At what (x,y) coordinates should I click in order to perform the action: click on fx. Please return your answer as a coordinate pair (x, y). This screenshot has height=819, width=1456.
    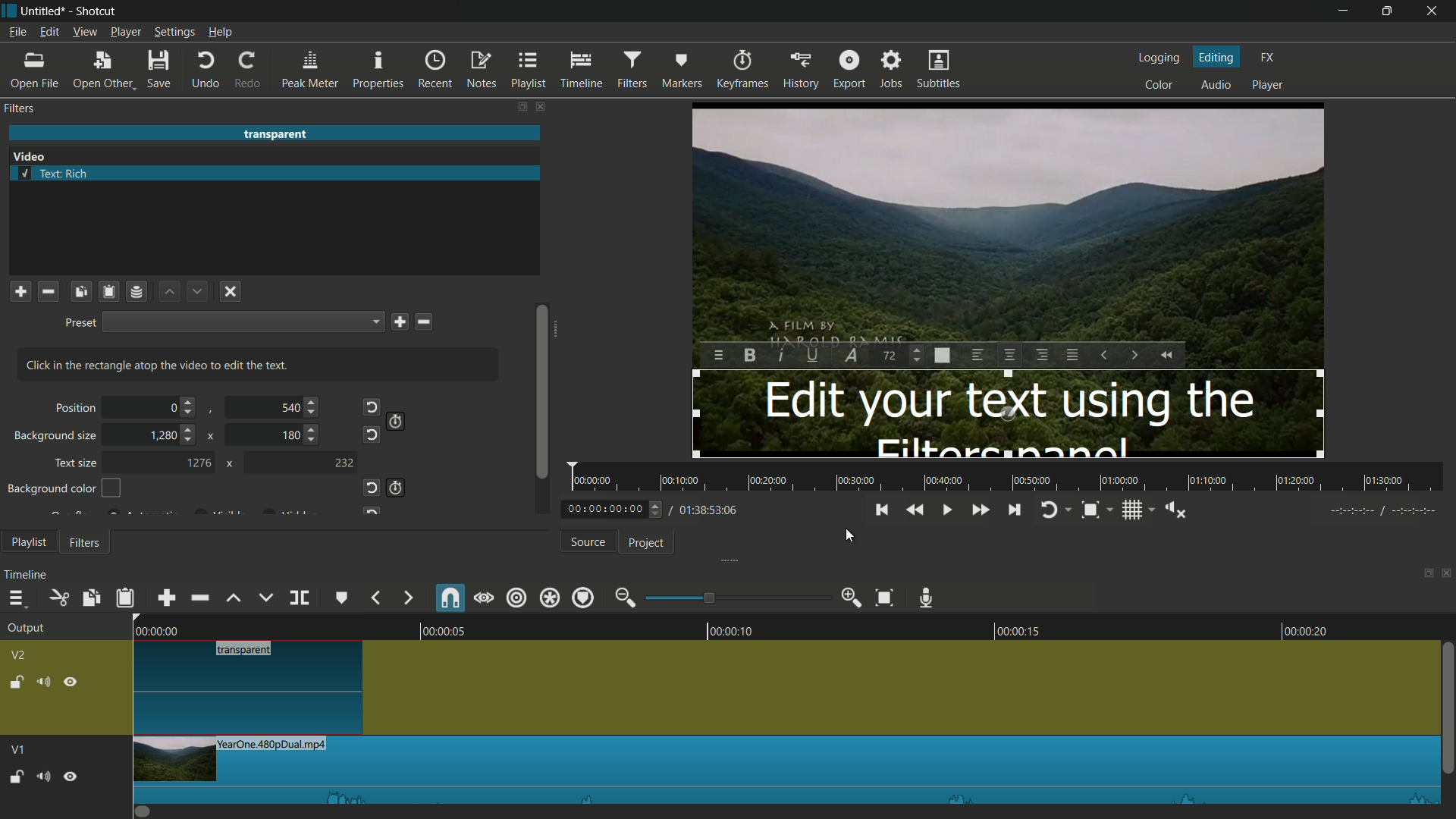
    Looking at the image, I should click on (1269, 58).